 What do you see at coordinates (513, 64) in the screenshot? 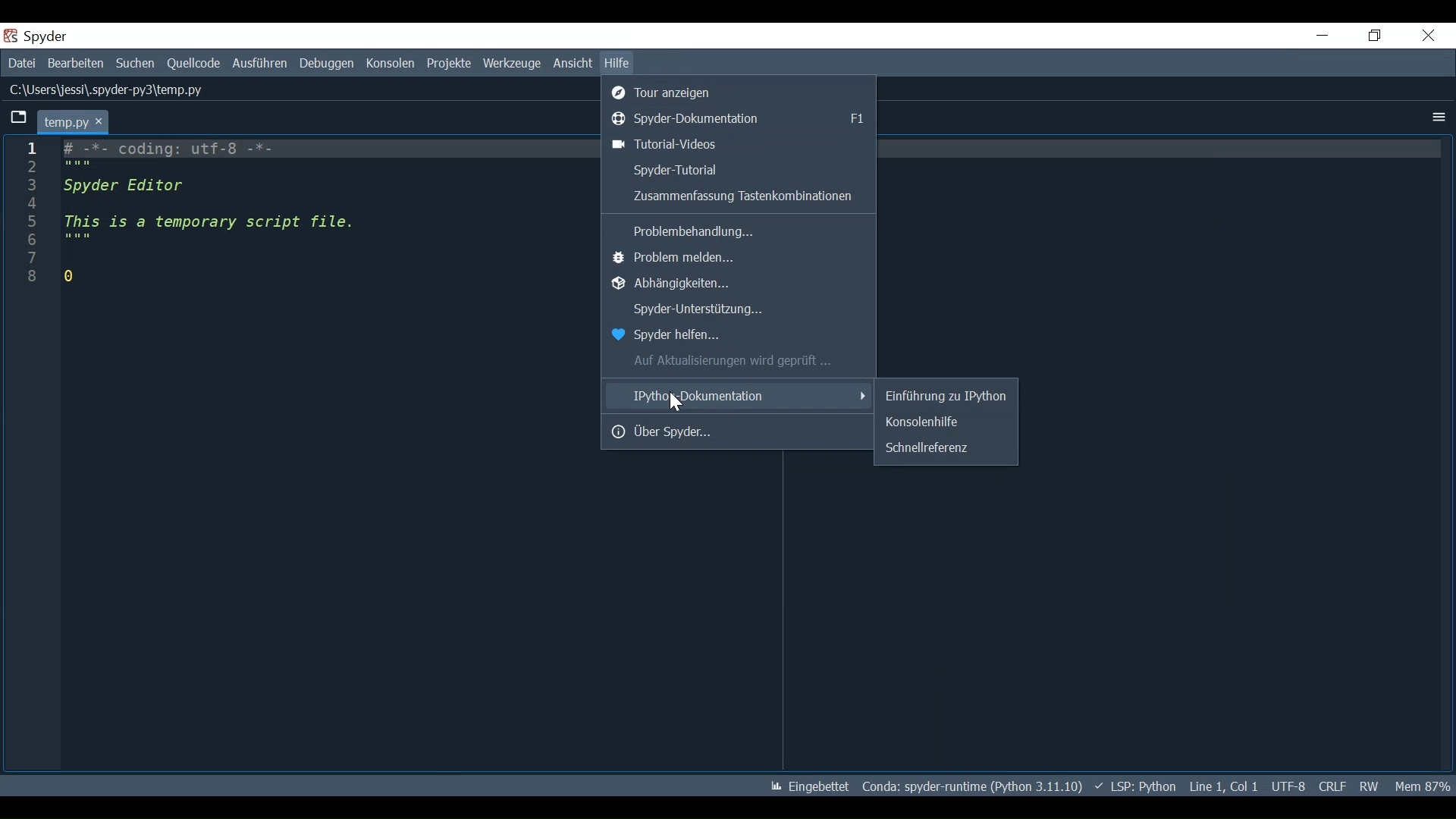
I see `Tools` at bounding box center [513, 64].